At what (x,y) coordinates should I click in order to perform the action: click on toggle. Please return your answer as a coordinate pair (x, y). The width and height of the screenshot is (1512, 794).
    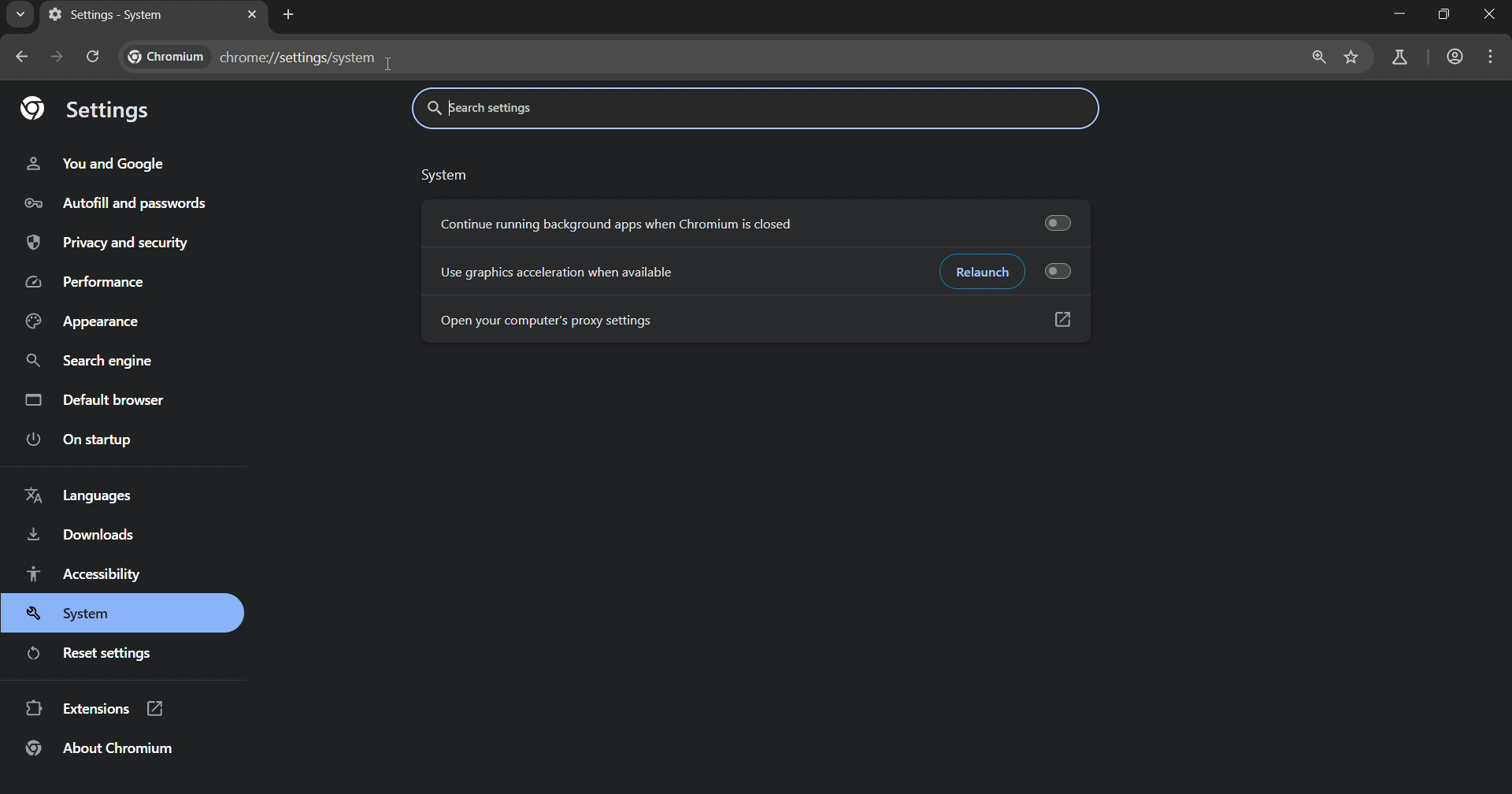
    Looking at the image, I should click on (1062, 273).